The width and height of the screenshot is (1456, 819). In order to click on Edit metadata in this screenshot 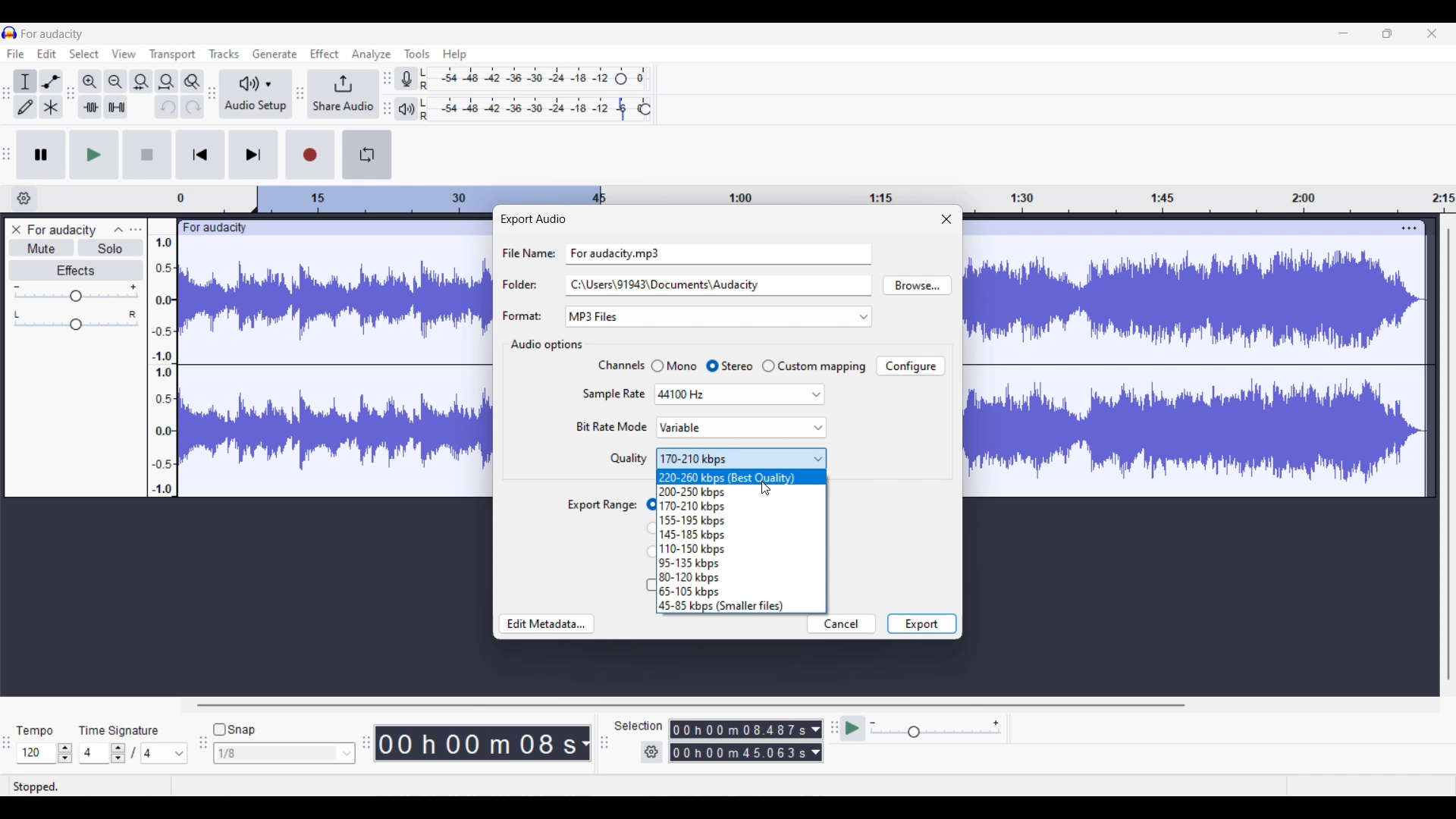, I will do `click(546, 624)`.